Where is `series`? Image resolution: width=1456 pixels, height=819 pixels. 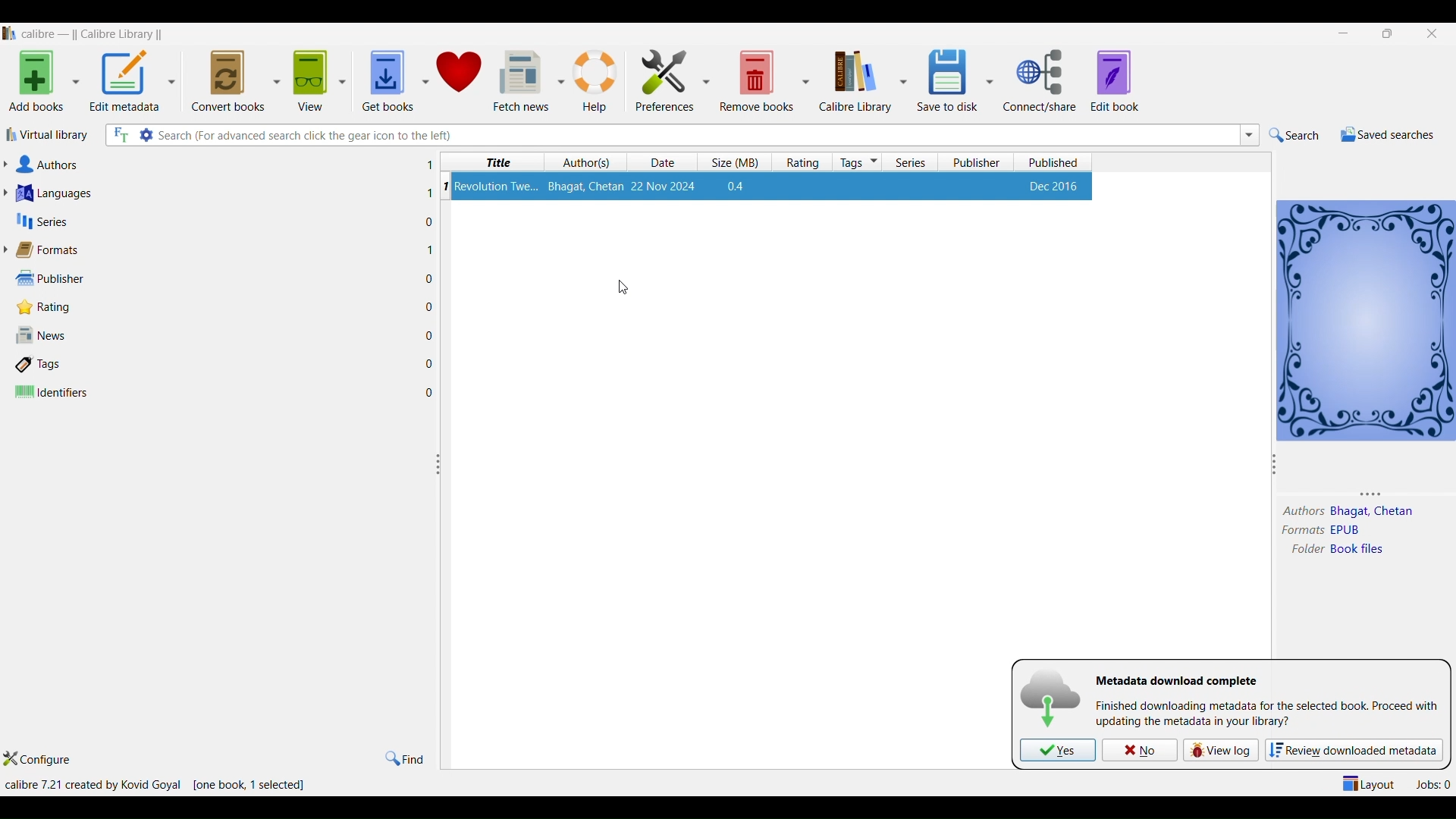
series is located at coordinates (44, 221).